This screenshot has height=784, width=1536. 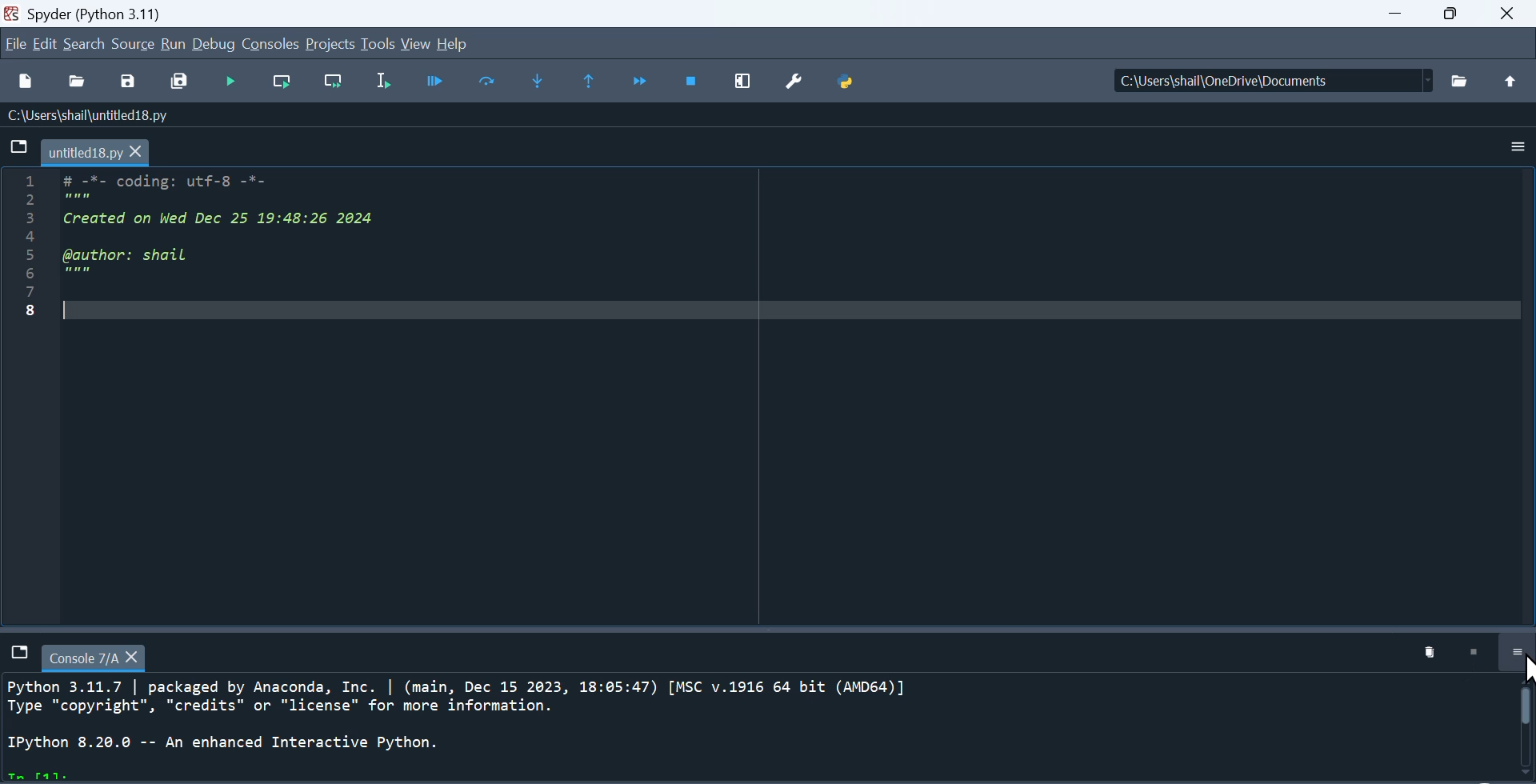 What do you see at coordinates (1517, 148) in the screenshot?
I see `more options` at bounding box center [1517, 148].